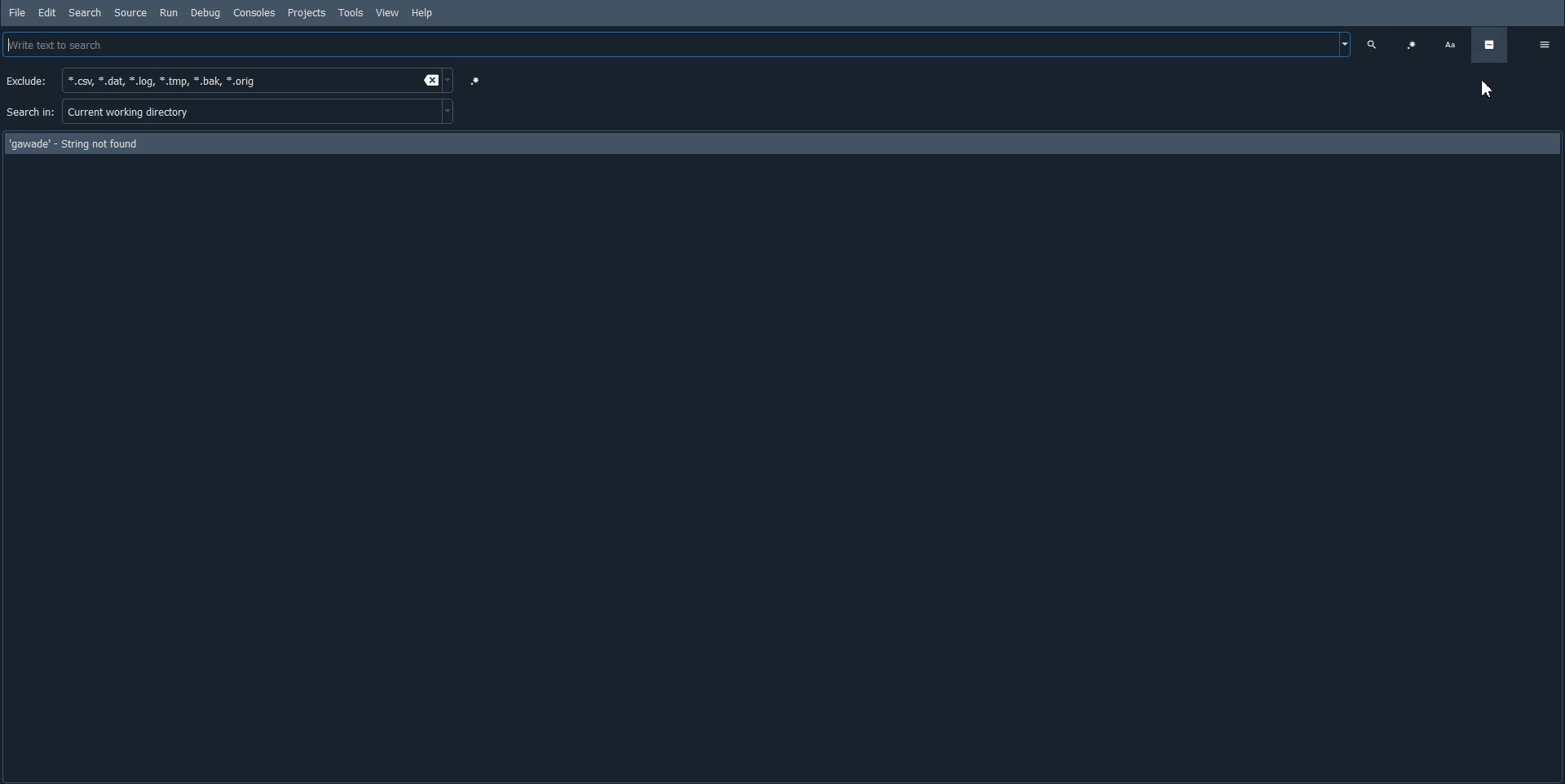  What do you see at coordinates (1451, 44) in the screenshot?
I see `Case Sensitive search` at bounding box center [1451, 44].